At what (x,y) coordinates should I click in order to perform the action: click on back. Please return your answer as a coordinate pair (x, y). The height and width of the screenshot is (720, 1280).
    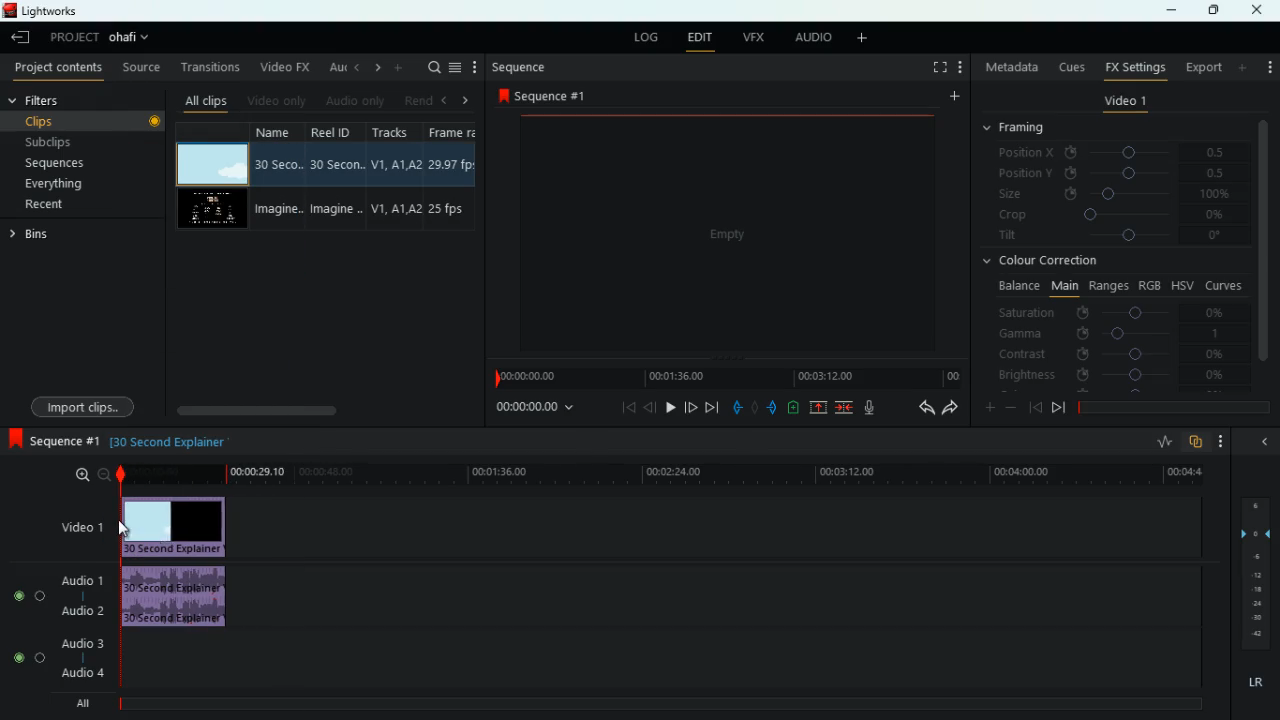
    Looking at the image, I should click on (919, 408).